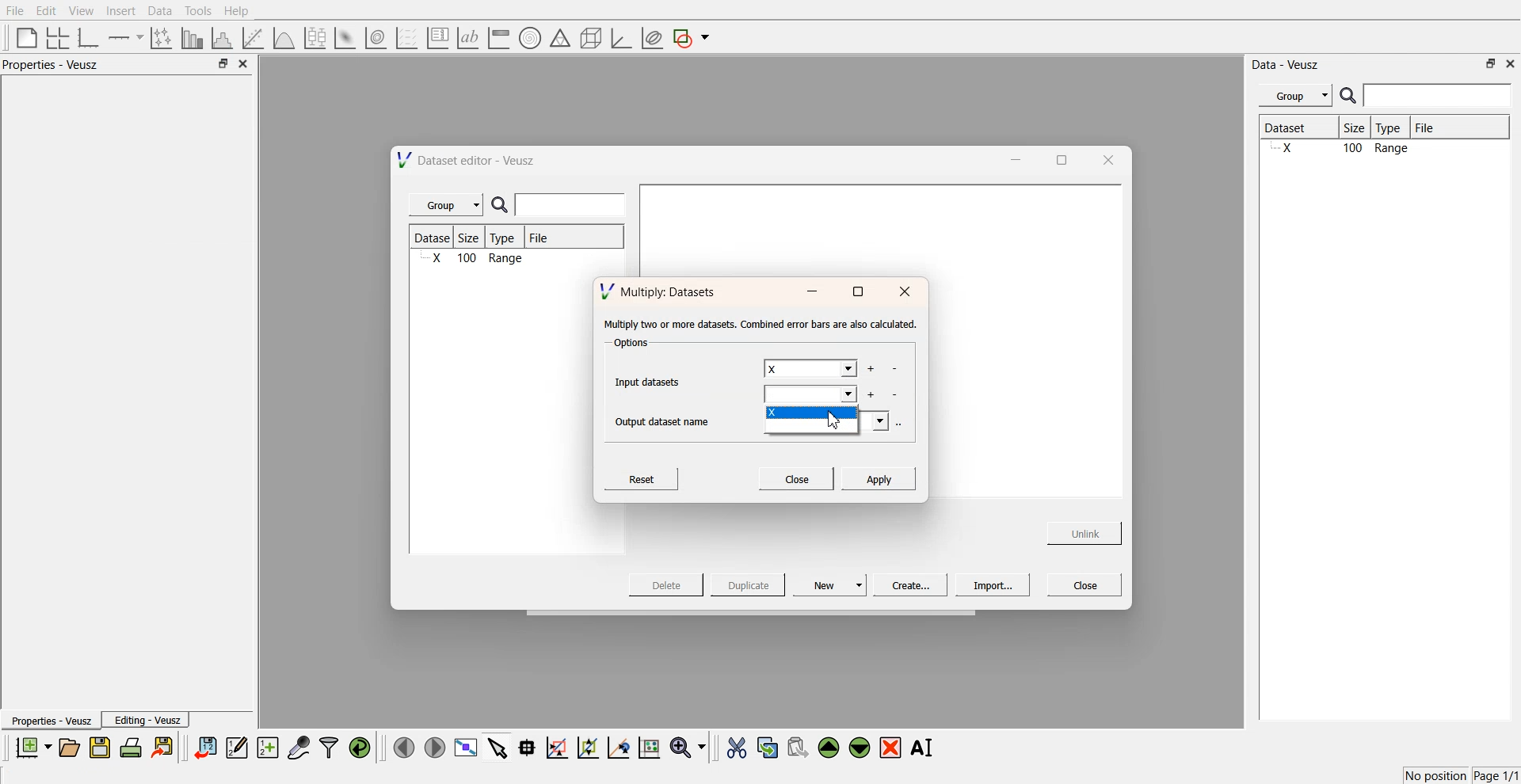 This screenshot has height=784, width=1521. I want to click on Apply, so click(879, 478).